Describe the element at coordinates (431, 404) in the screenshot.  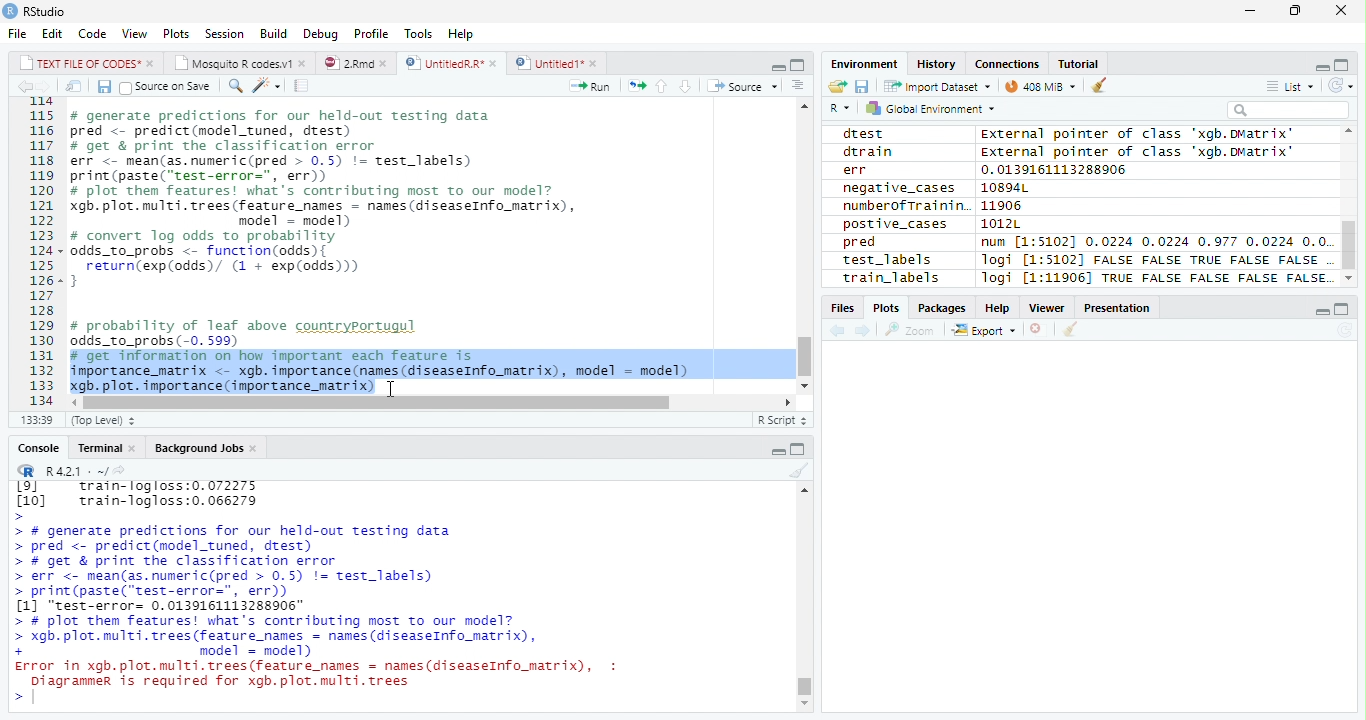
I see `Scroll` at that location.